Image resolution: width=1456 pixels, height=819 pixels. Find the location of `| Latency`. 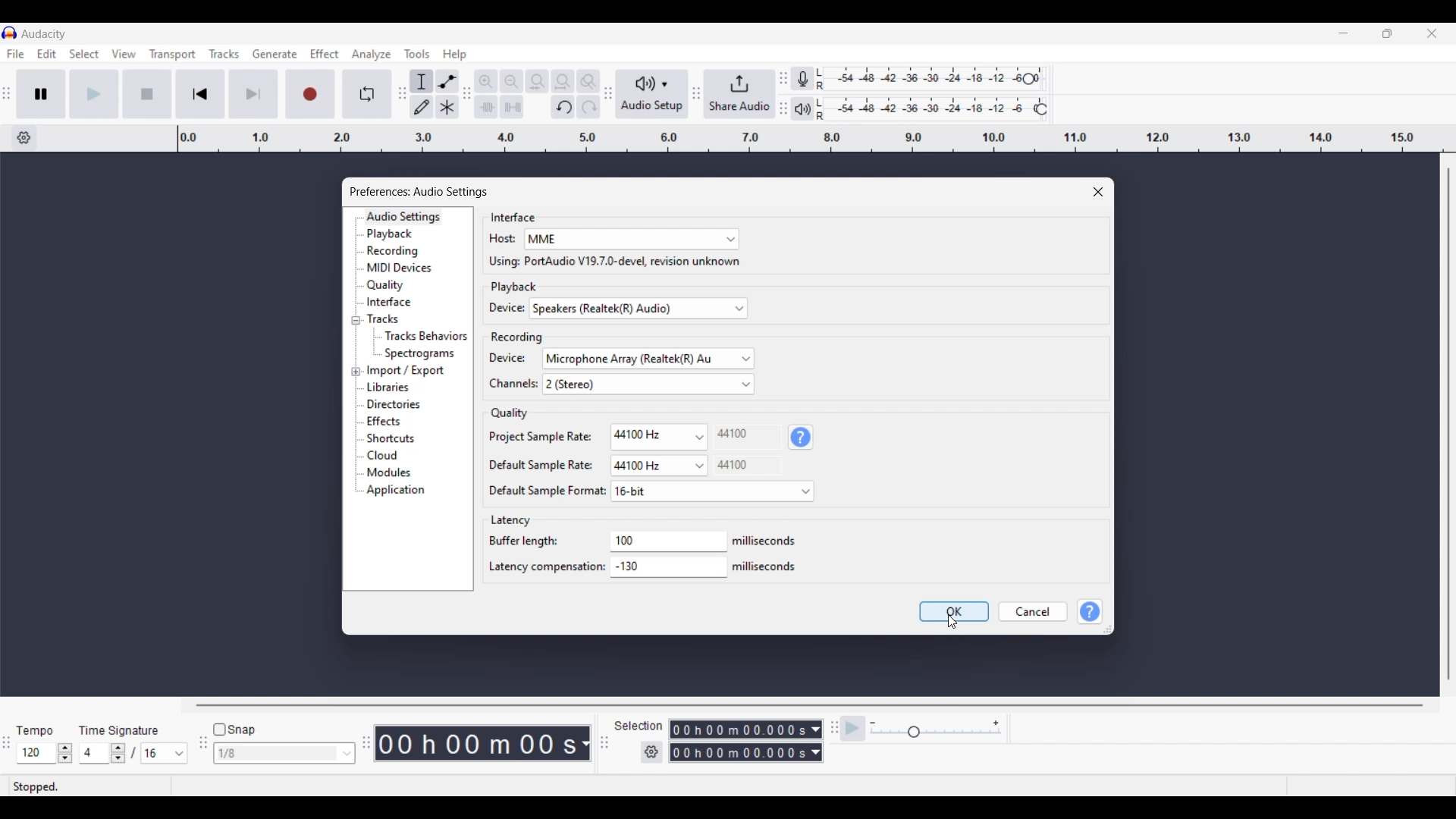

| Latency is located at coordinates (513, 521).